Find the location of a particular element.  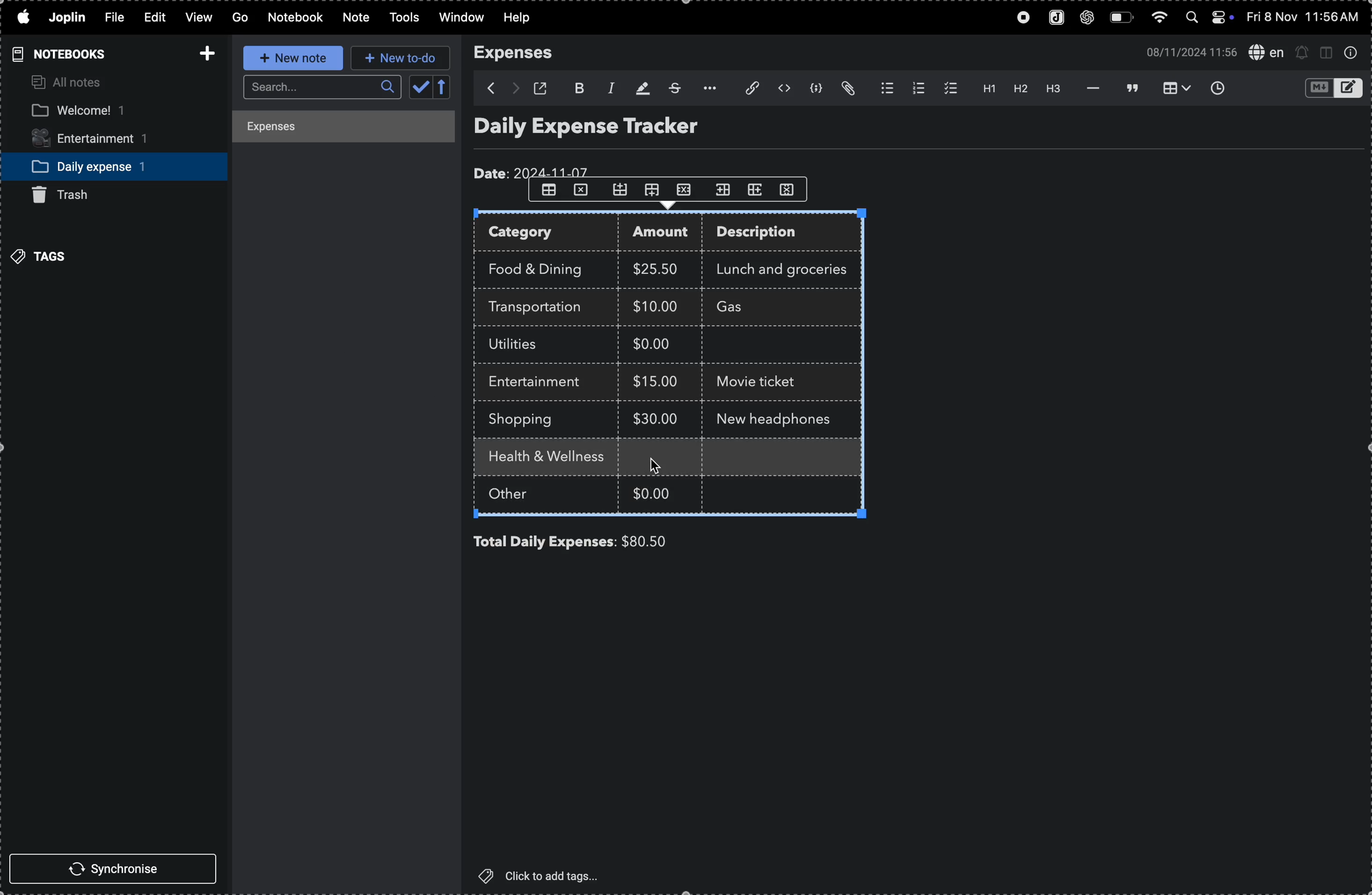

expenses is located at coordinates (333, 129).